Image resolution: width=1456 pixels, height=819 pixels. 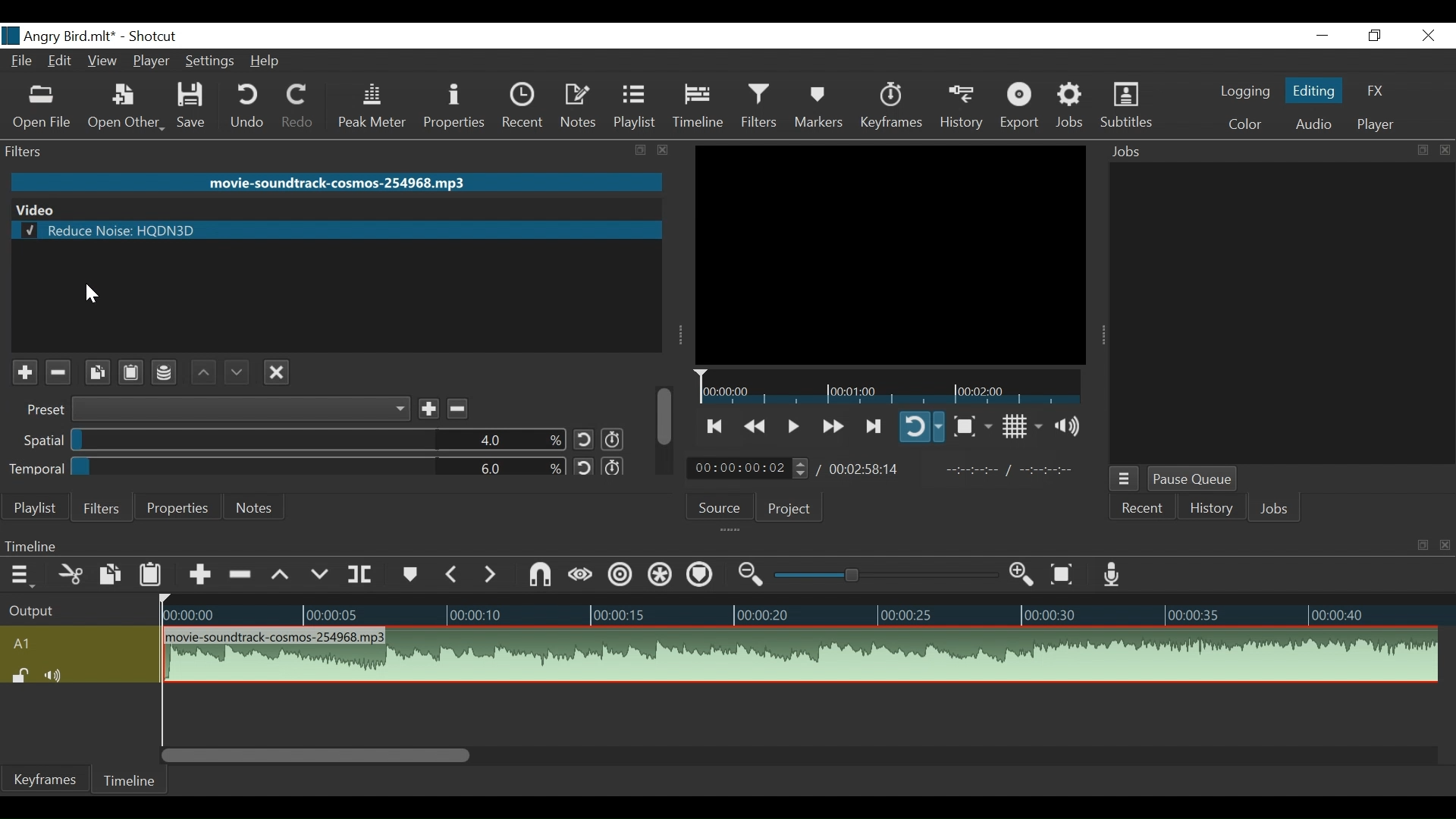 I want to click on Jobs, so click(x=1254, y=152).